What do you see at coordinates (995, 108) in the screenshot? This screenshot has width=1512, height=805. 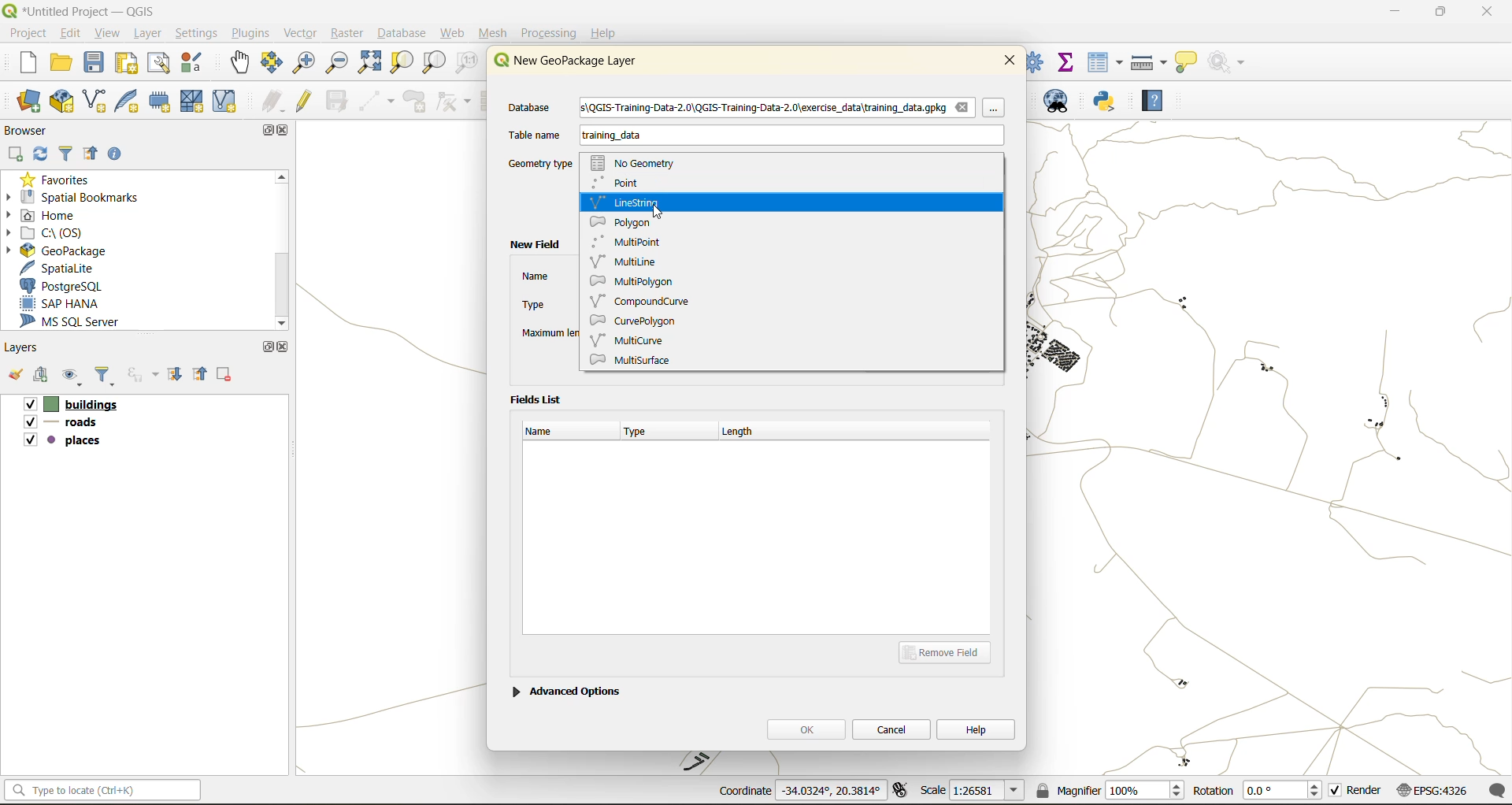 I see `Pointer` at bounding box center [995, 108].